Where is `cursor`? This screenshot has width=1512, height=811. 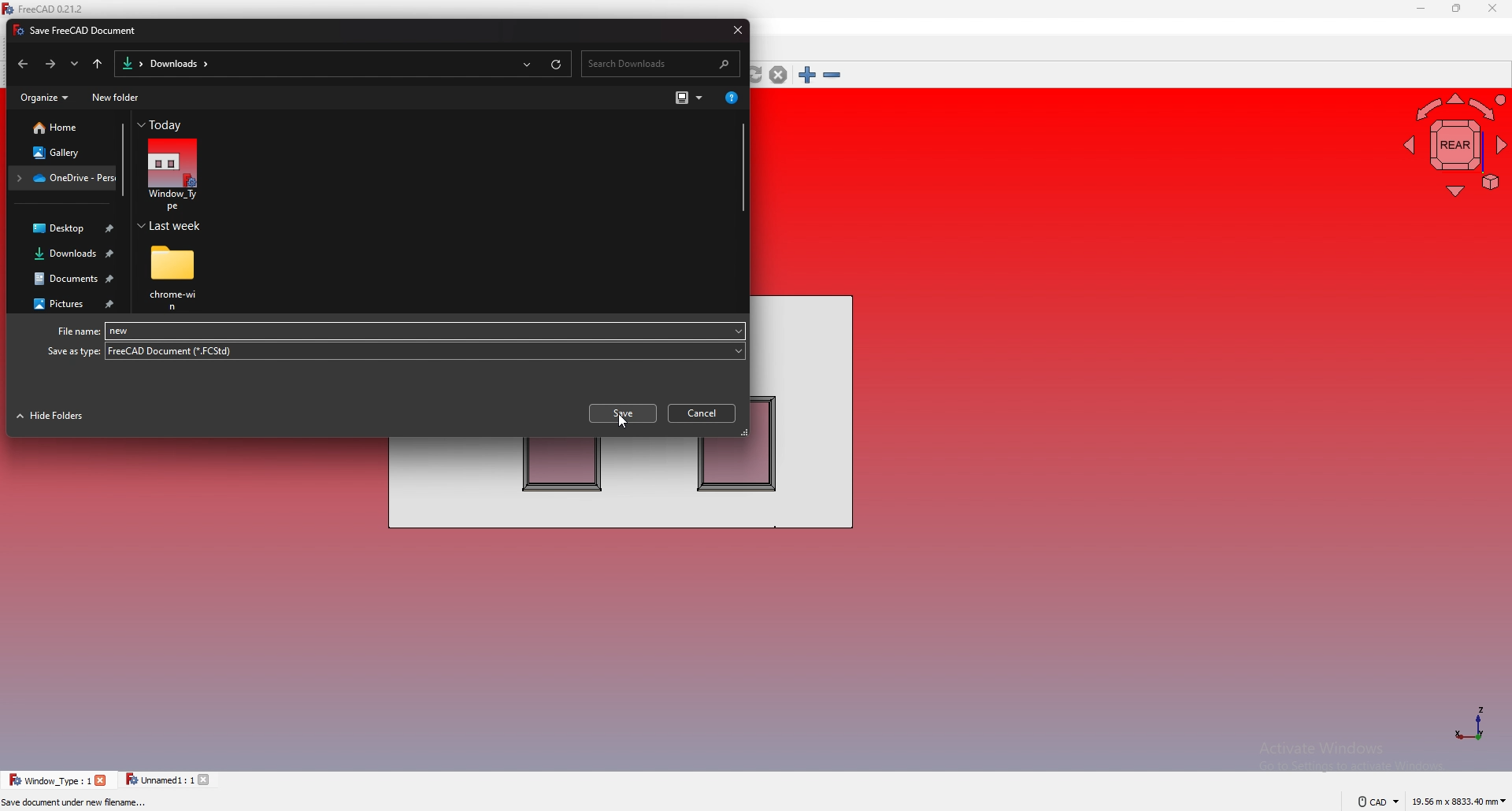 cursor is located at coordinates (624, 423).